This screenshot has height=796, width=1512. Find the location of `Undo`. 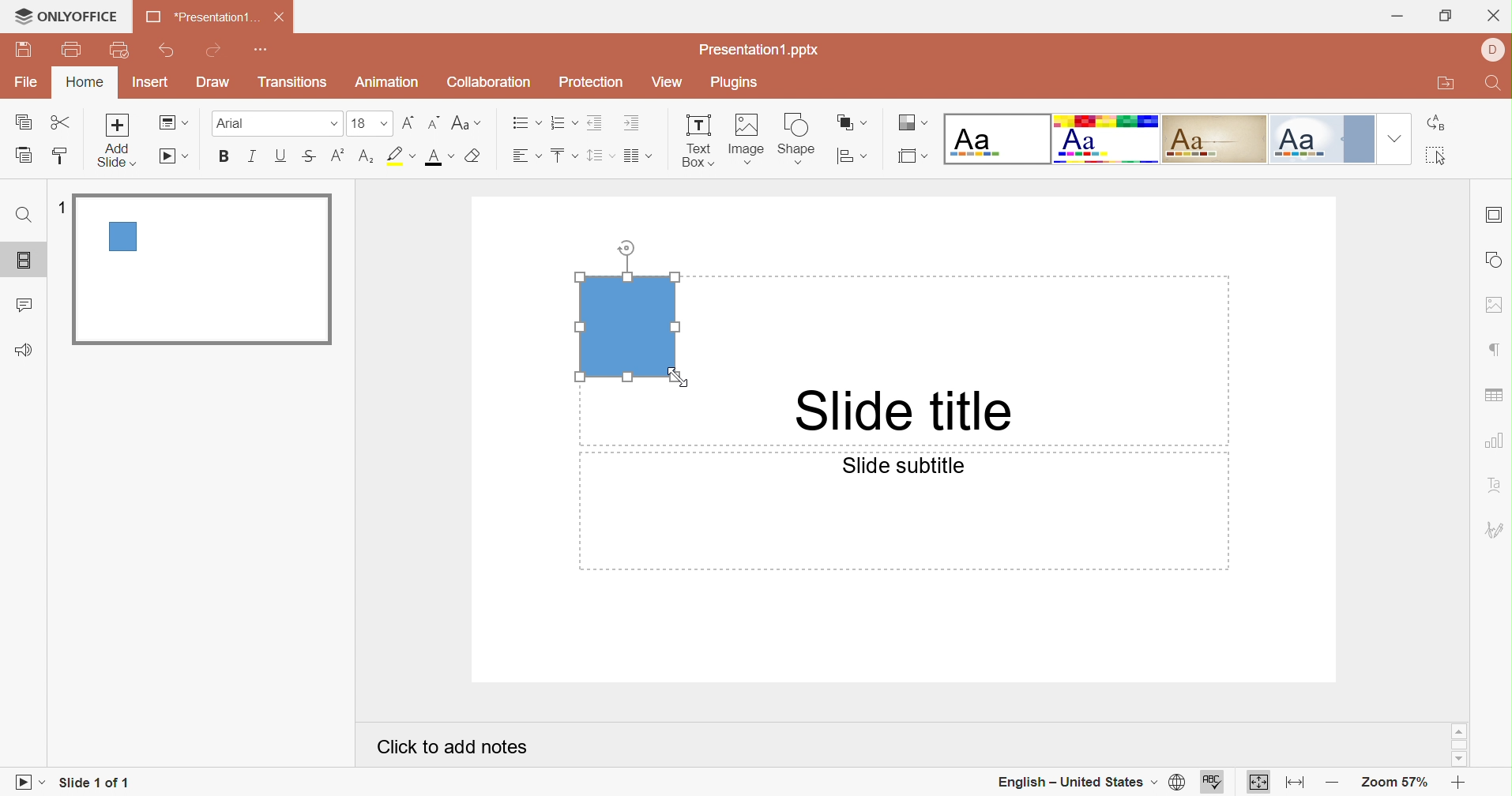

Undo is located at coordinates (168, 51).